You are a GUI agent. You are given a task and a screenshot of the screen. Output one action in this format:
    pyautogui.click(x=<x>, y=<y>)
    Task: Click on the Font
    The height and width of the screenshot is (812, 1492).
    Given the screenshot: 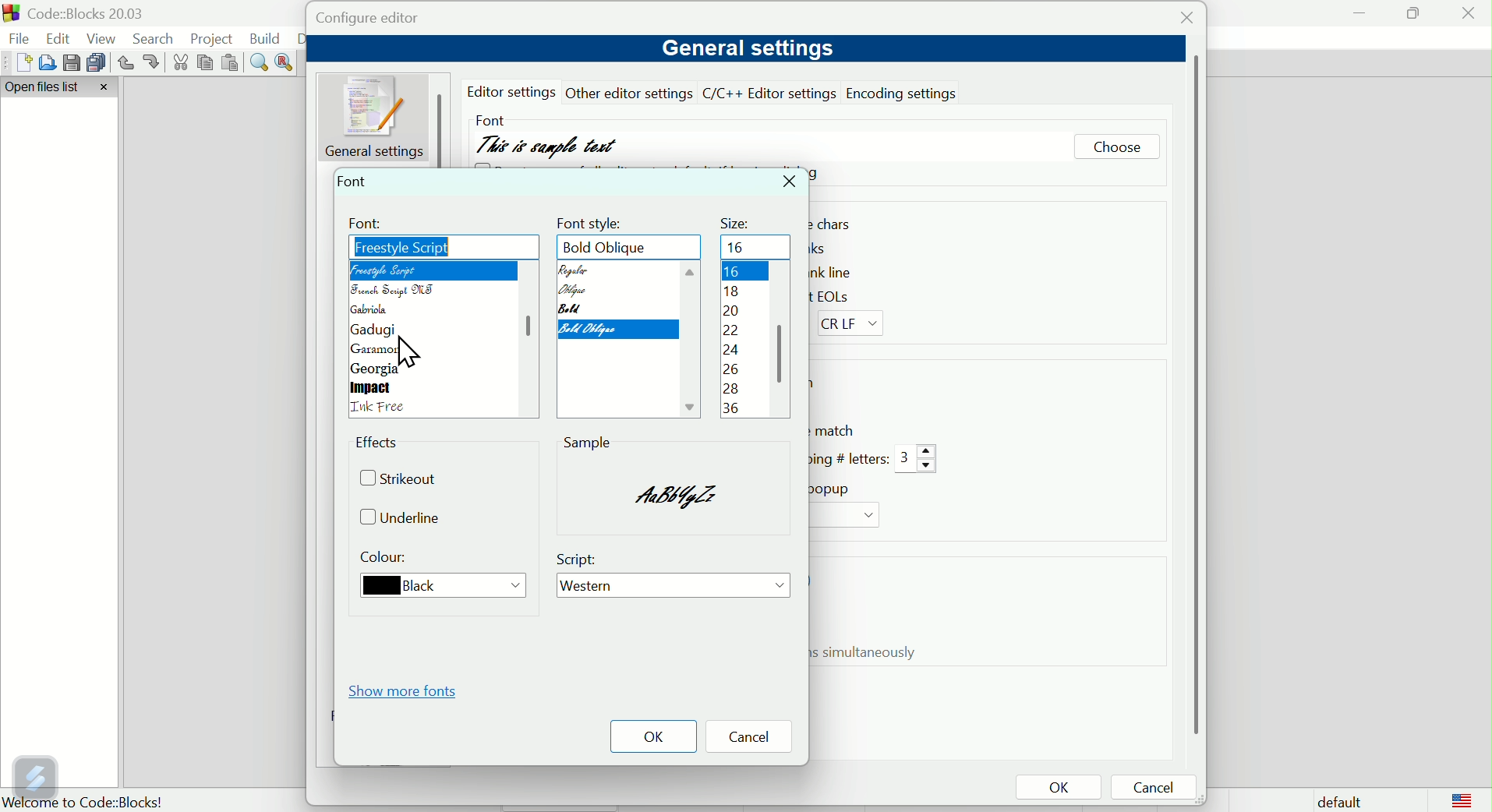 What is the action you would take?
    pyautogui.click(x=367, y=224)
    